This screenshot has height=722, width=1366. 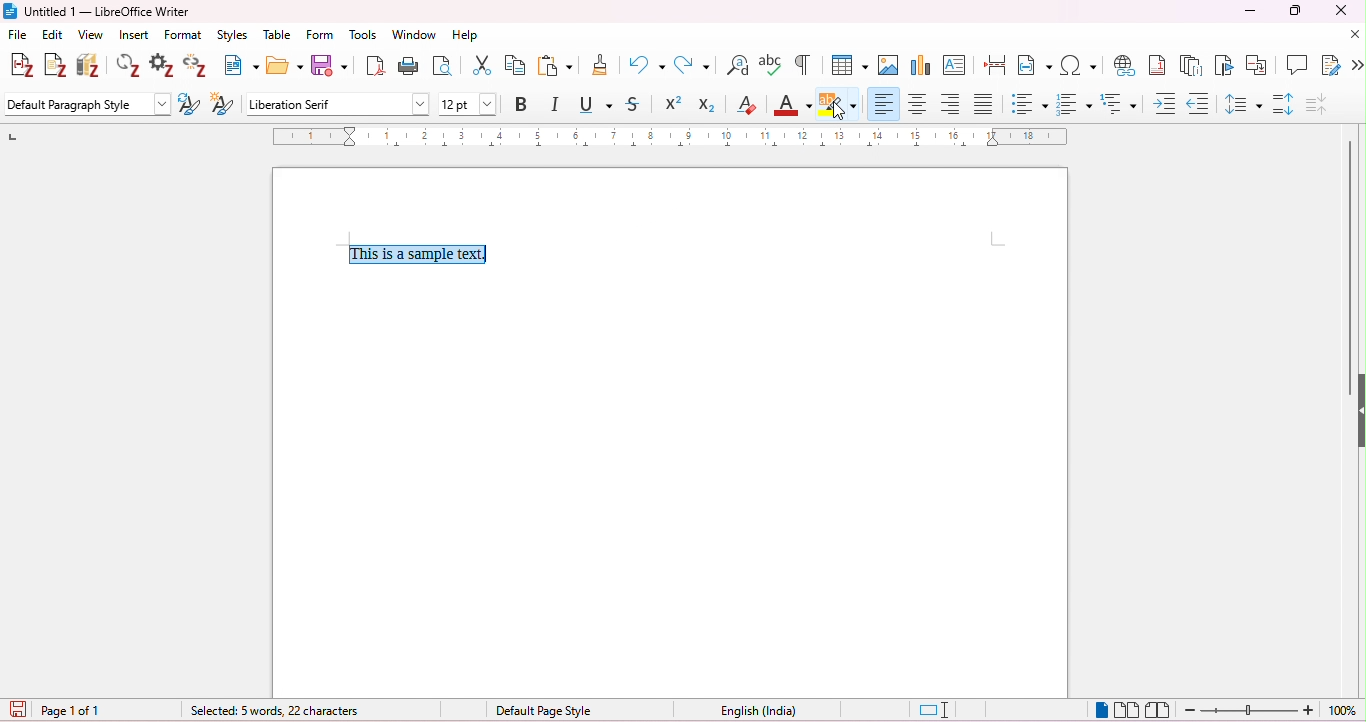 What do you see at coordinates (164, 66) in the screenshot?
I see `set document preferences` at bounding box center [164, 66].